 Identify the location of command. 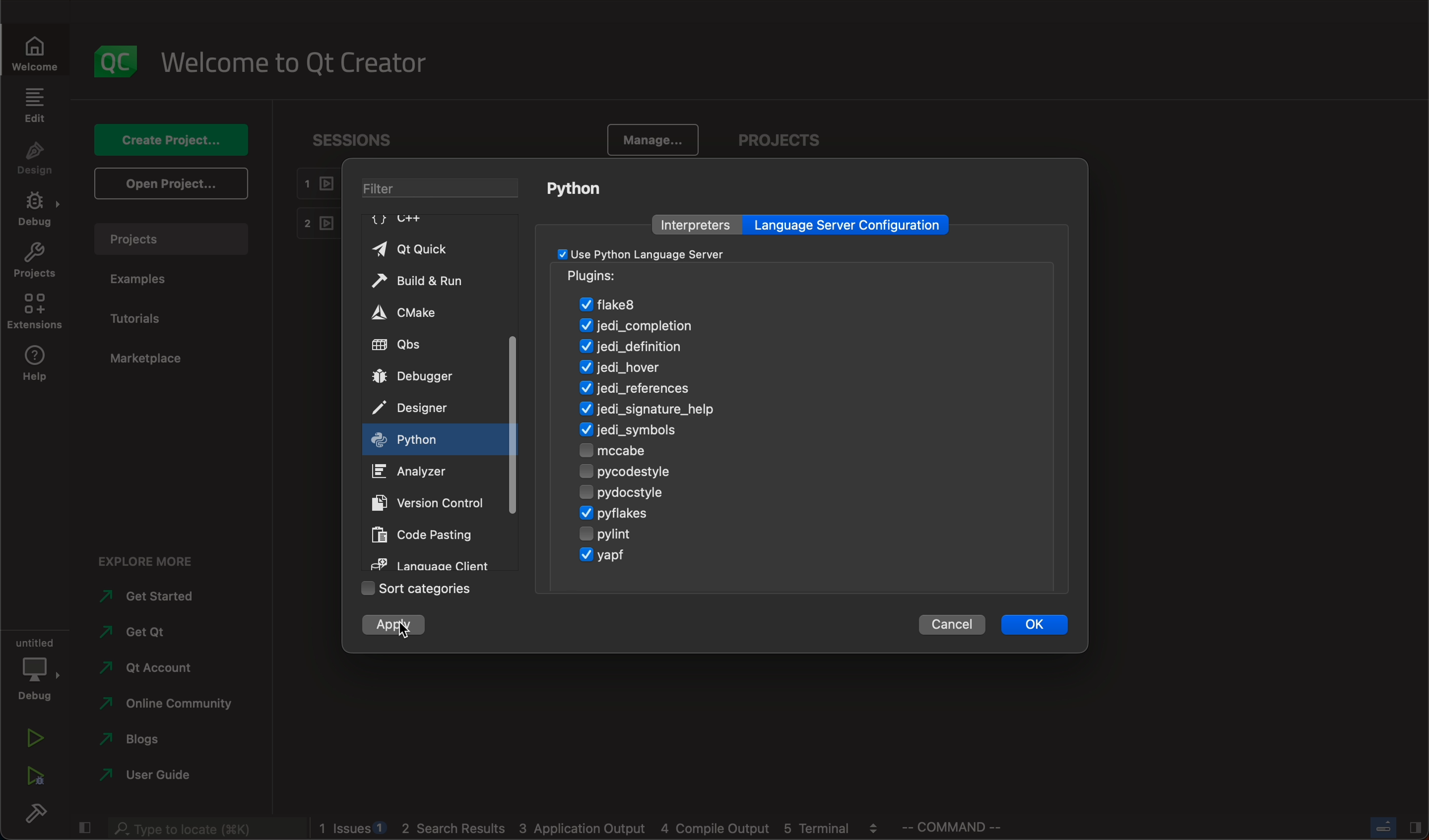
(951, 826).